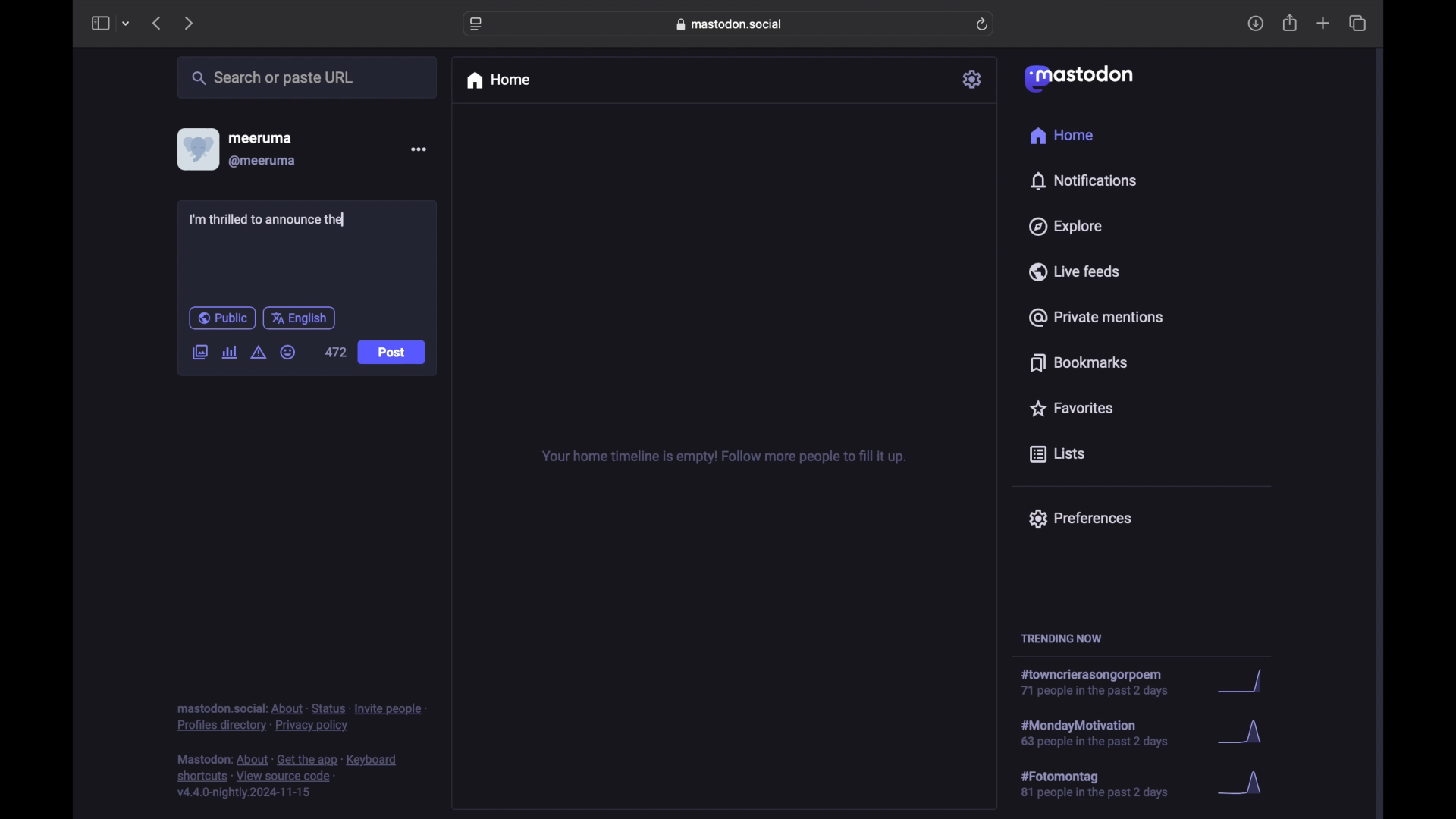  What do you see at coordinates (1071, 408) in the screenshot?
I see `favorites` at bounding box center [1071, 408].